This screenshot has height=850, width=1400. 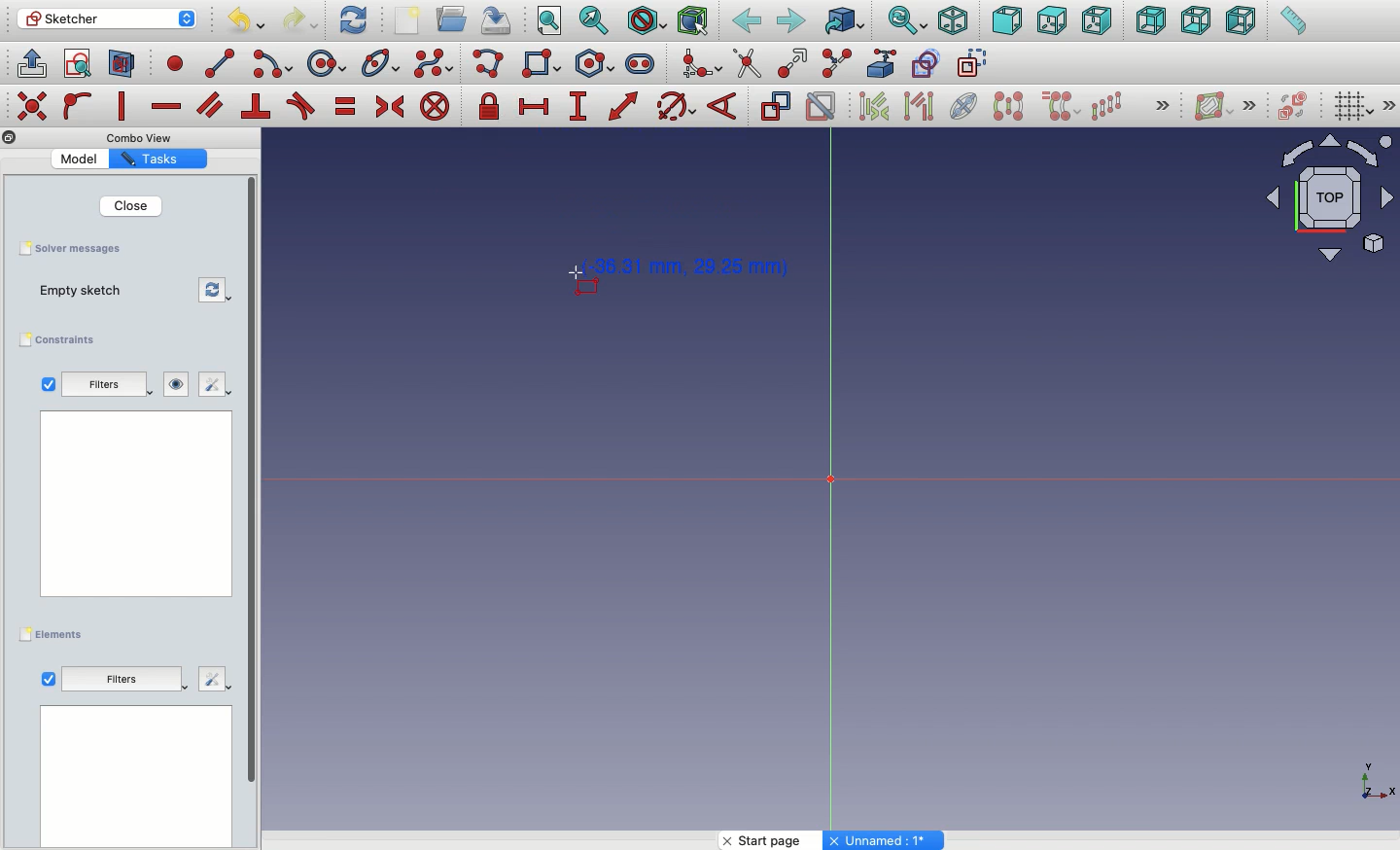 What do you see at coordinates (1194, 22) in the screenshot?
I see `Bottom` at bounding box center [1194, 22].